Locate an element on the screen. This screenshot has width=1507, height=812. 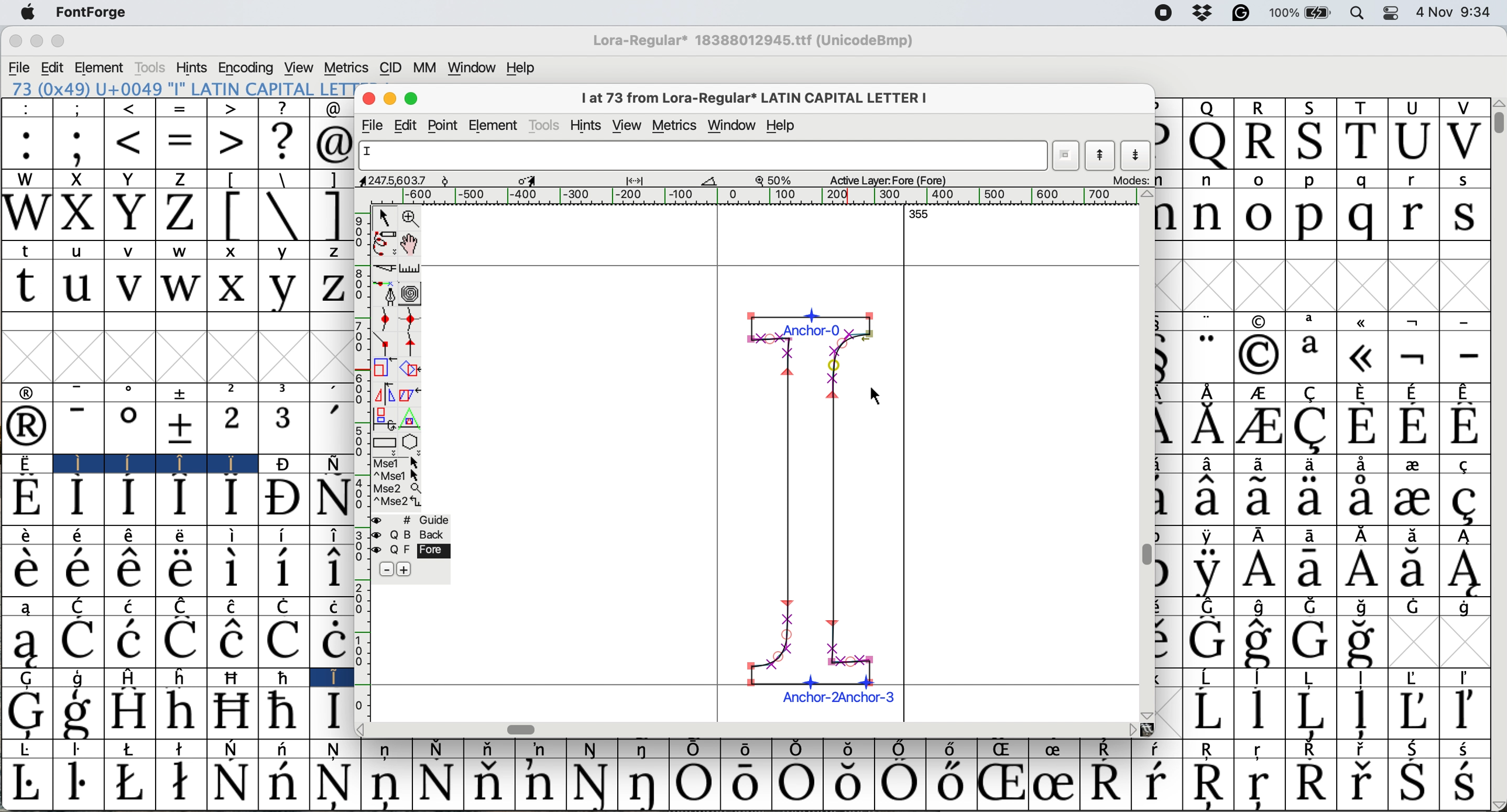
Symbol is located at coordinates (128, 641).